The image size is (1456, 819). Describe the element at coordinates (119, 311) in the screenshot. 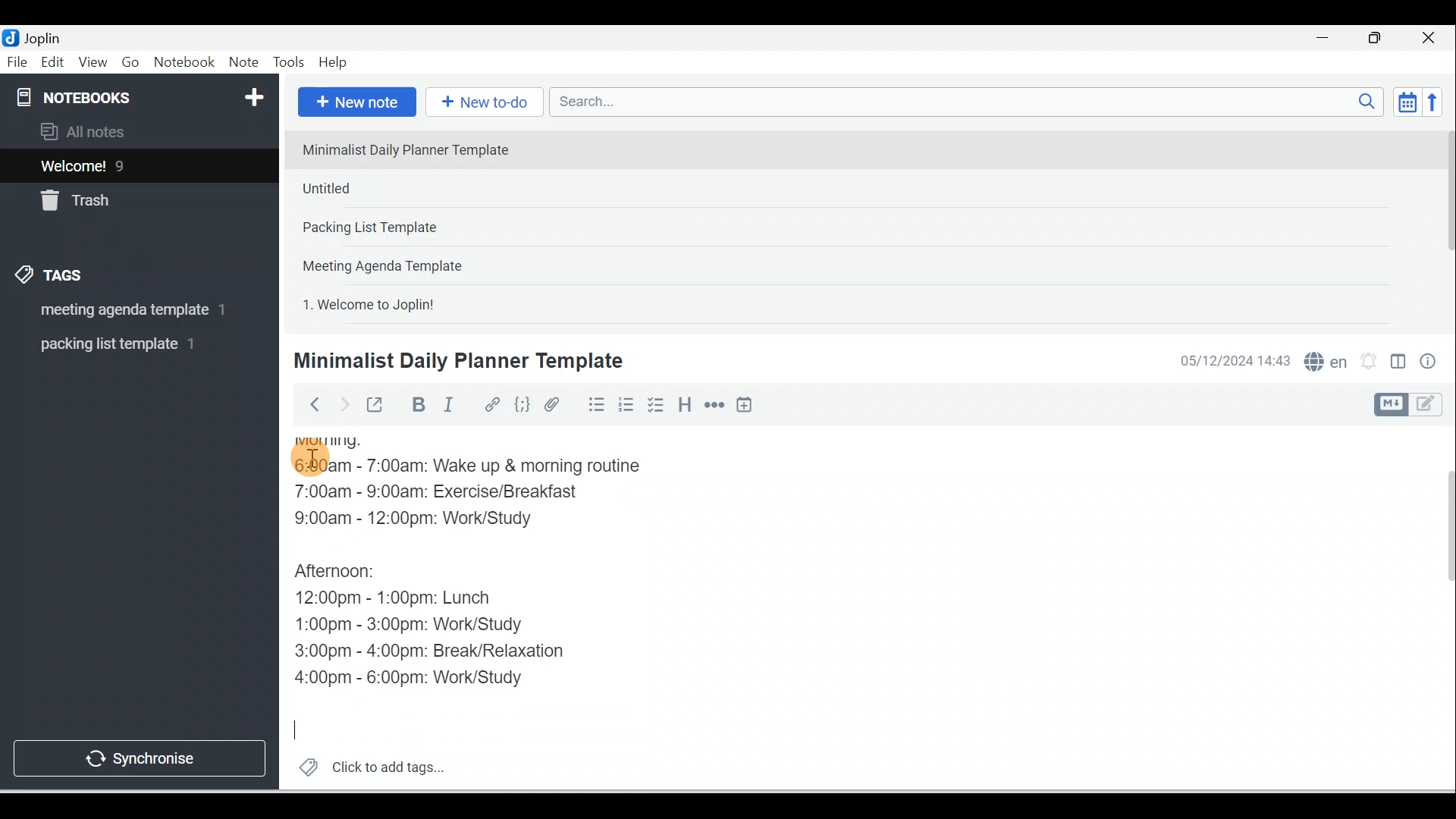

I see `Tag 1` at that location.